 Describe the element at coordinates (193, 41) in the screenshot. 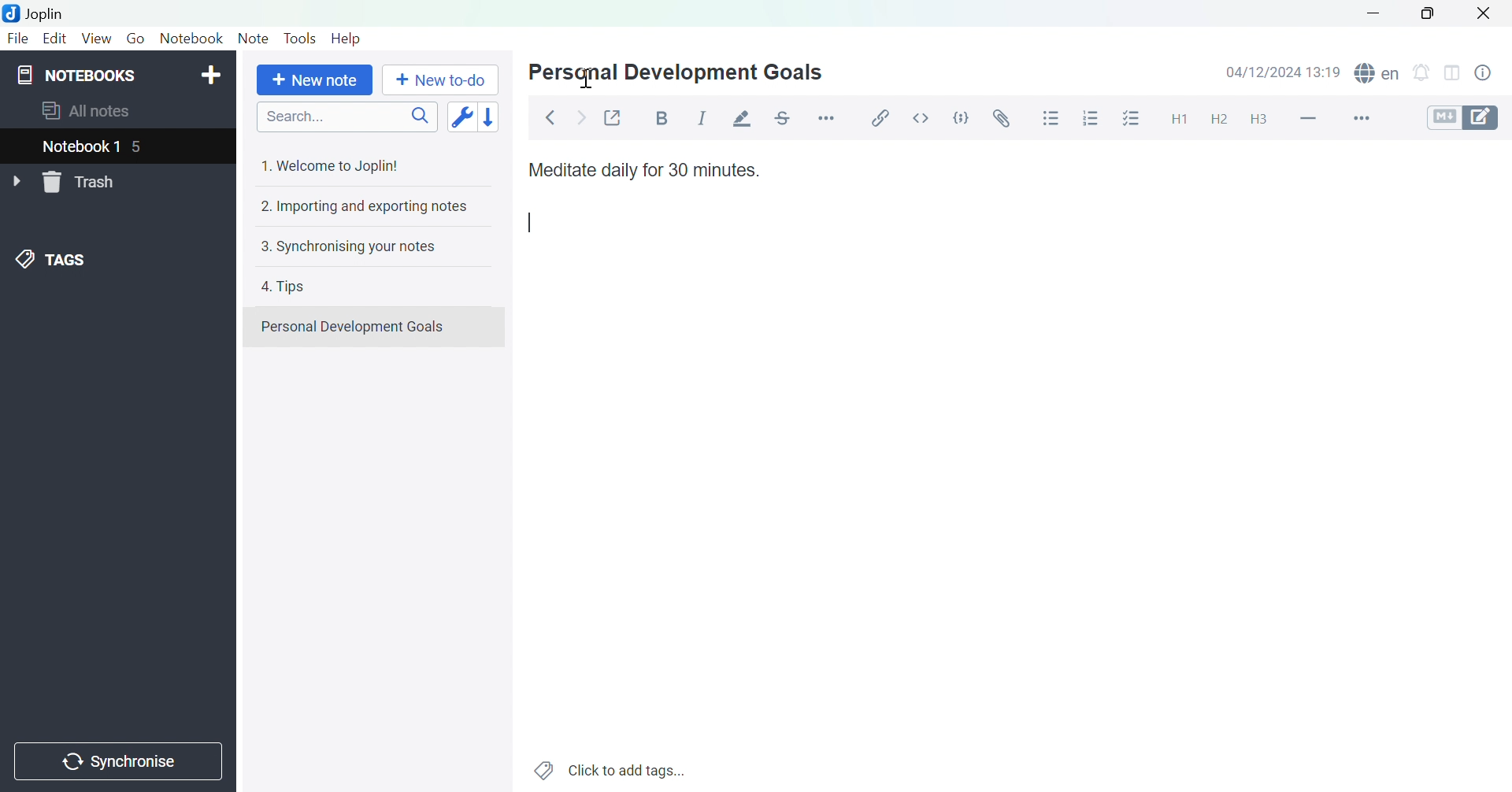

I see `Notebook` at that location.